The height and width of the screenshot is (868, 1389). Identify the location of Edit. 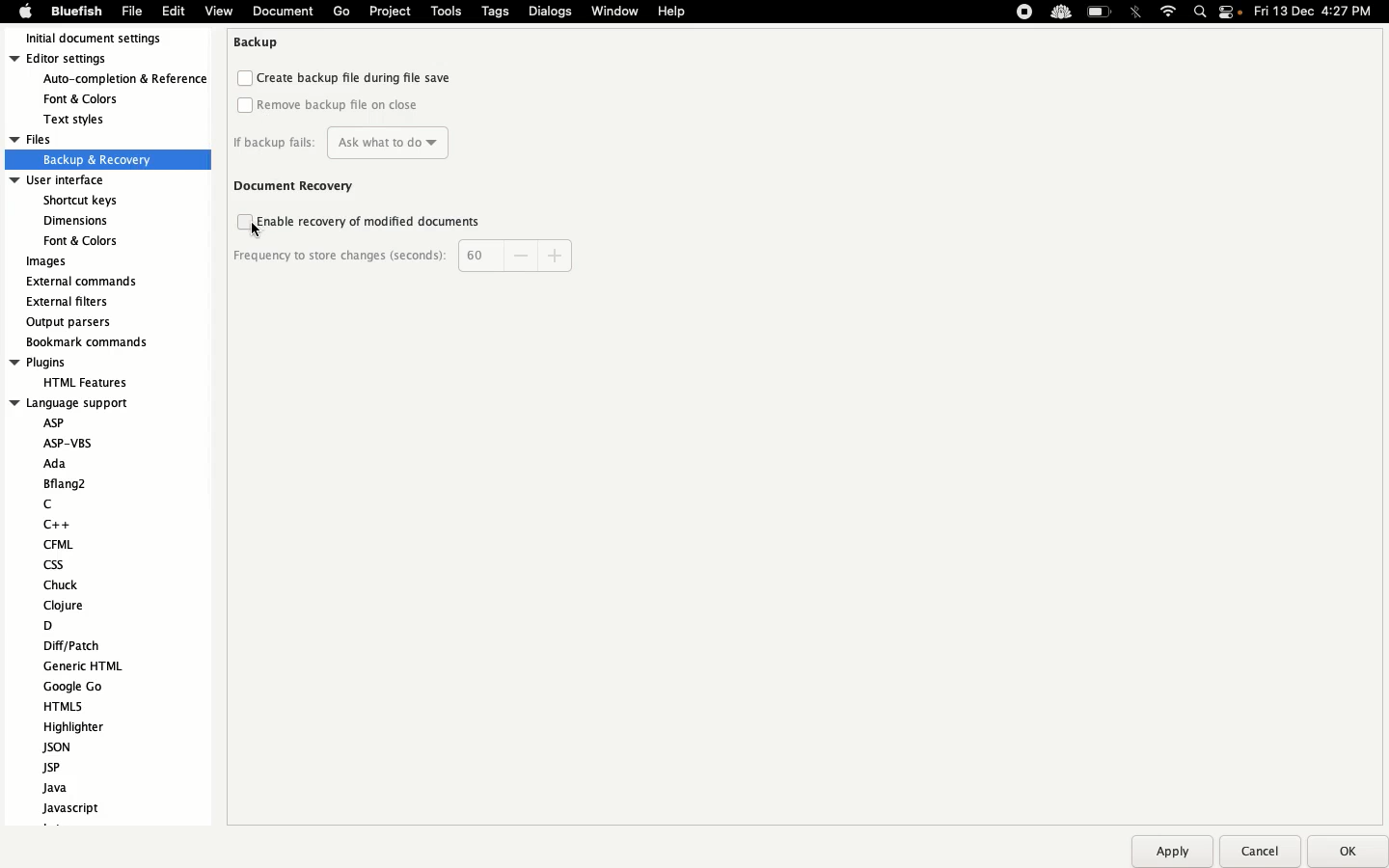
(172, 14).